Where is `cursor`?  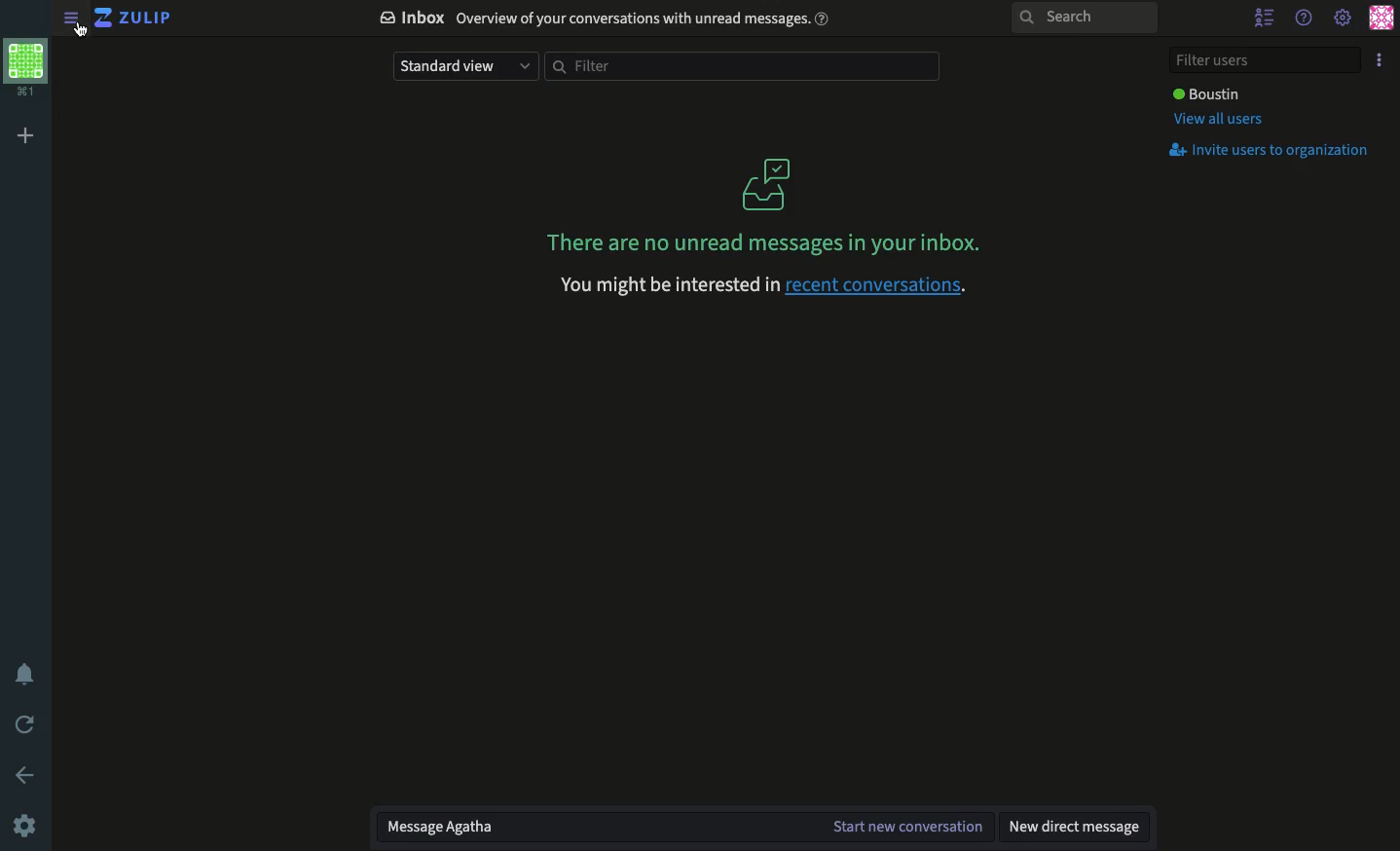 cursor is located at coordinates (88, 31).